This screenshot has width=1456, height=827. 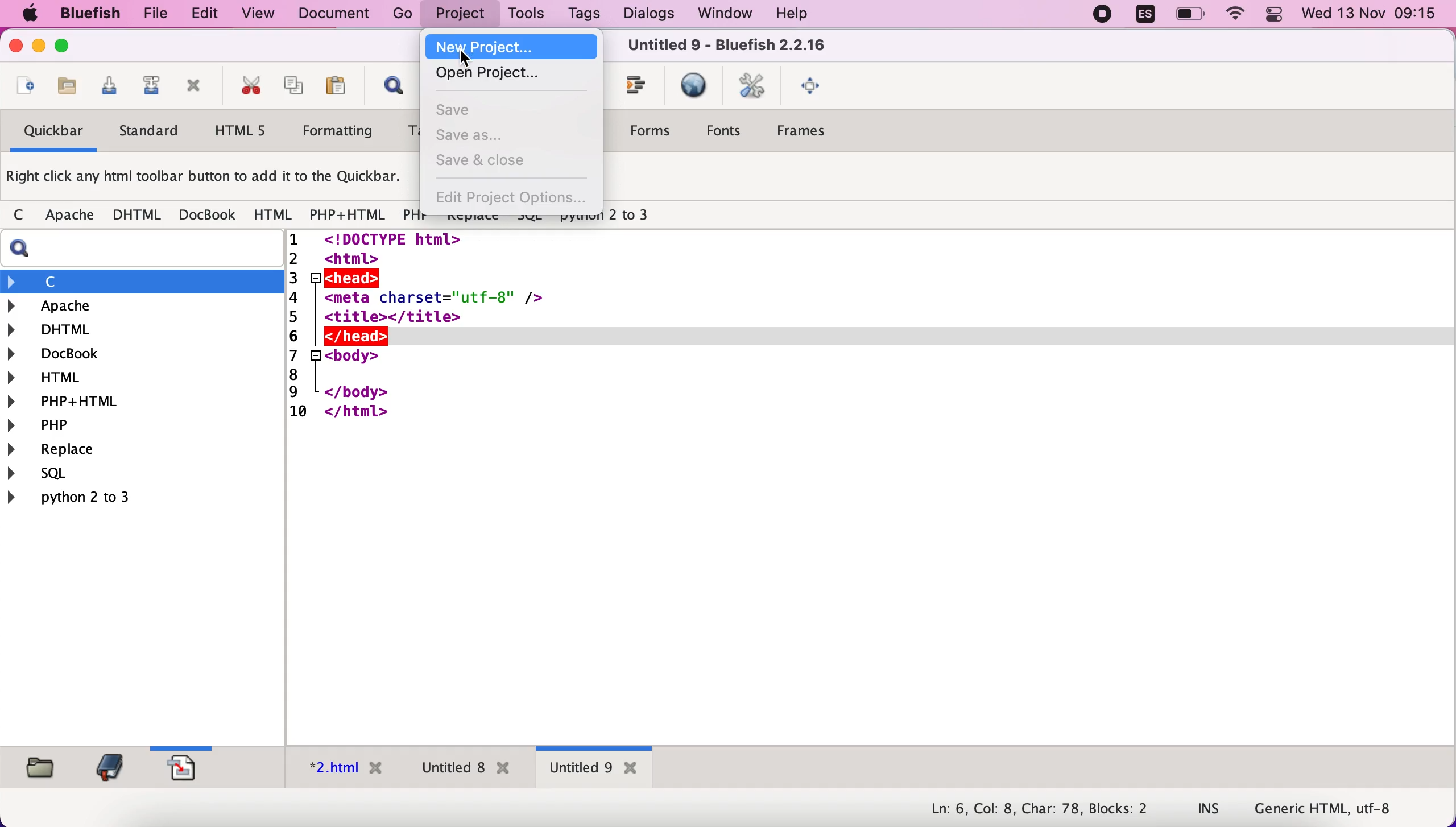 What do you see at coordinates (510, 46) in the screenshot?
I see `new project` at bounding box center [510, 46].